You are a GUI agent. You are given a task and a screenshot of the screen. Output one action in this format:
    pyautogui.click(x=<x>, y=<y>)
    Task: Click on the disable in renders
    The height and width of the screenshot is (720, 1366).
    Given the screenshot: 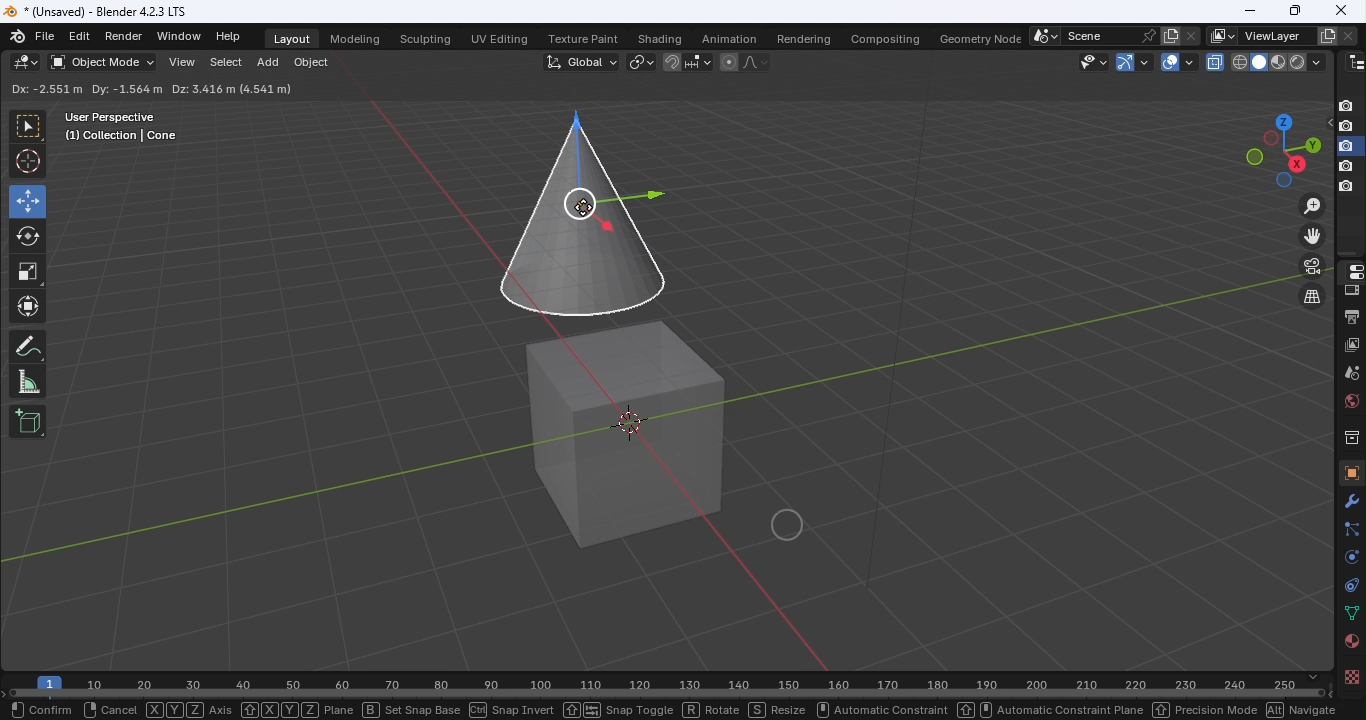 What is the action you would take?
    pyautogui.click(x=1345, y=167)
    